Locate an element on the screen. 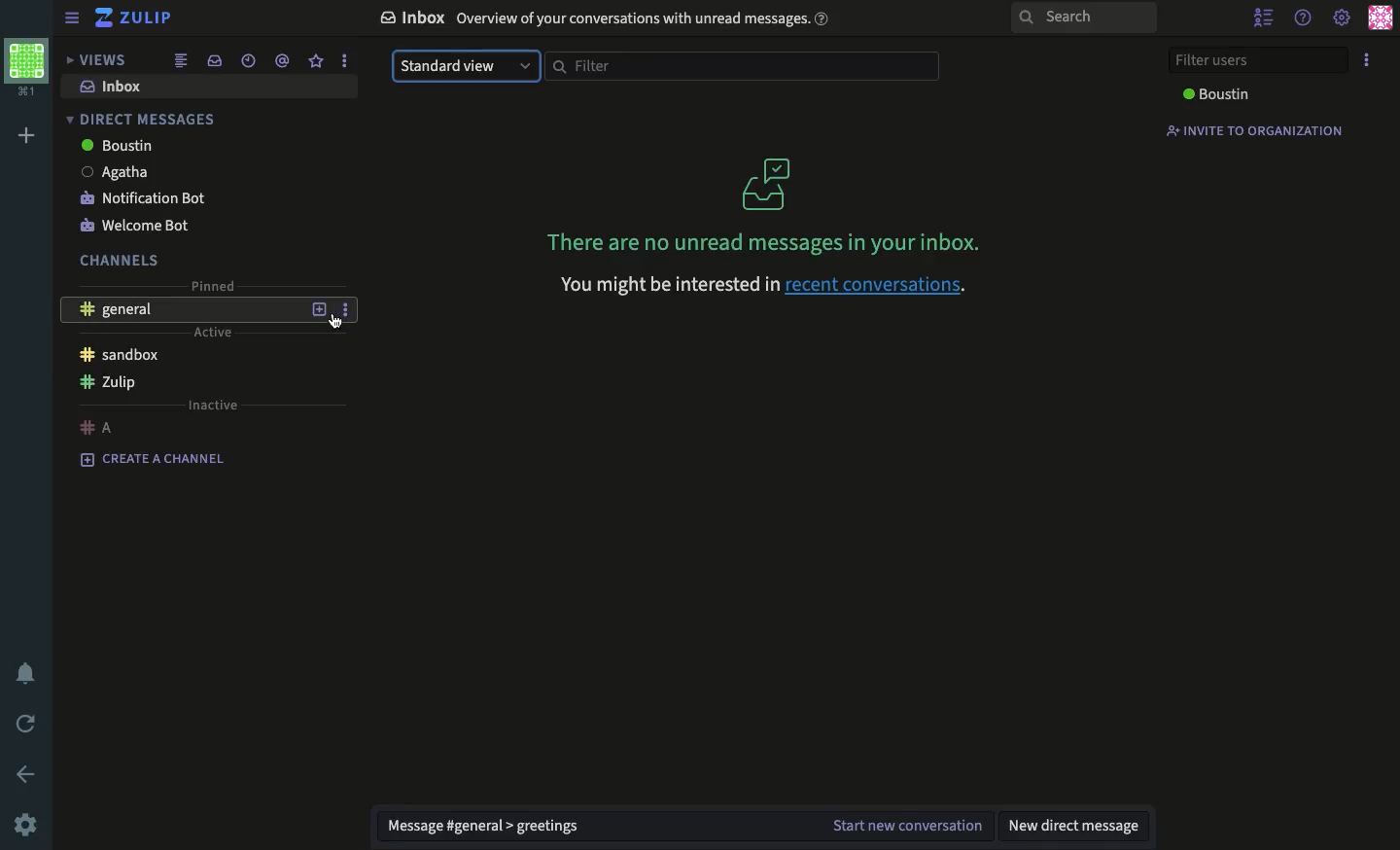 Image resolution: width=1400 pixels, height=850 pixels. welcome bot is located at coordinates (135, 224).